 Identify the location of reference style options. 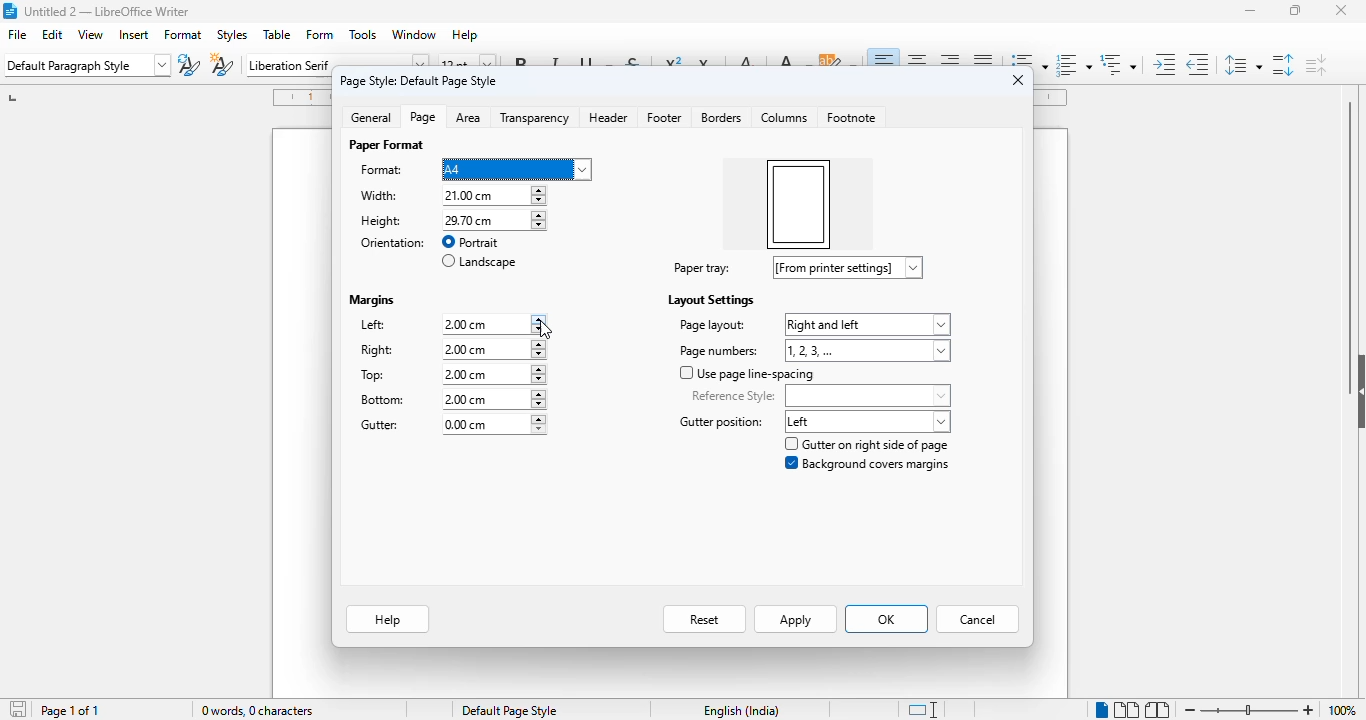
(871, 396).